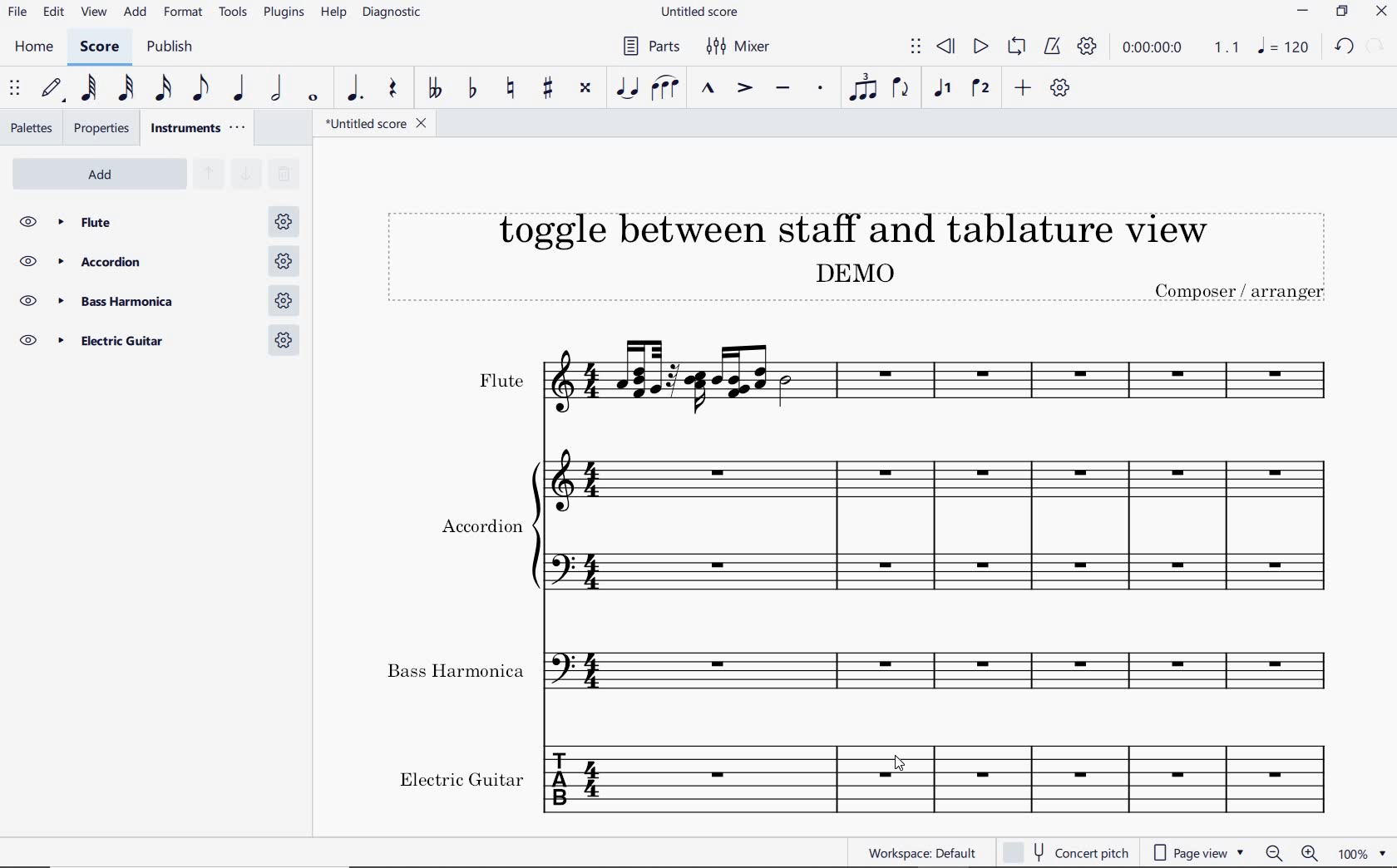 This screenshot has width=1397, height=868. I want to click on rest, so click(391, 89).